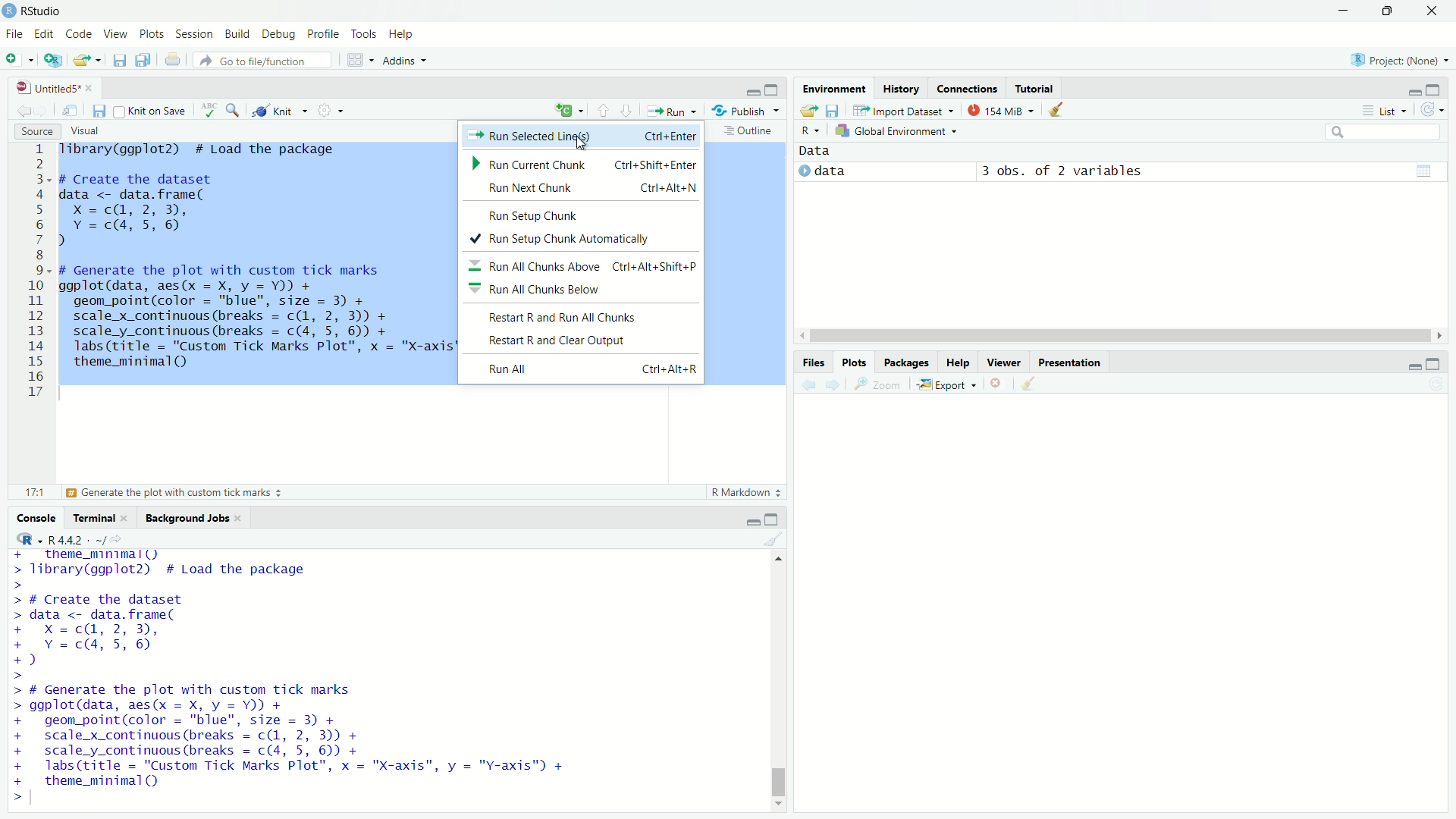 This screenshot has height=819, width=1456. What do you see at coordinates (535, 215) in the screenshot?
I see `Run Setup Chunk` at bounding box center [535, 215].